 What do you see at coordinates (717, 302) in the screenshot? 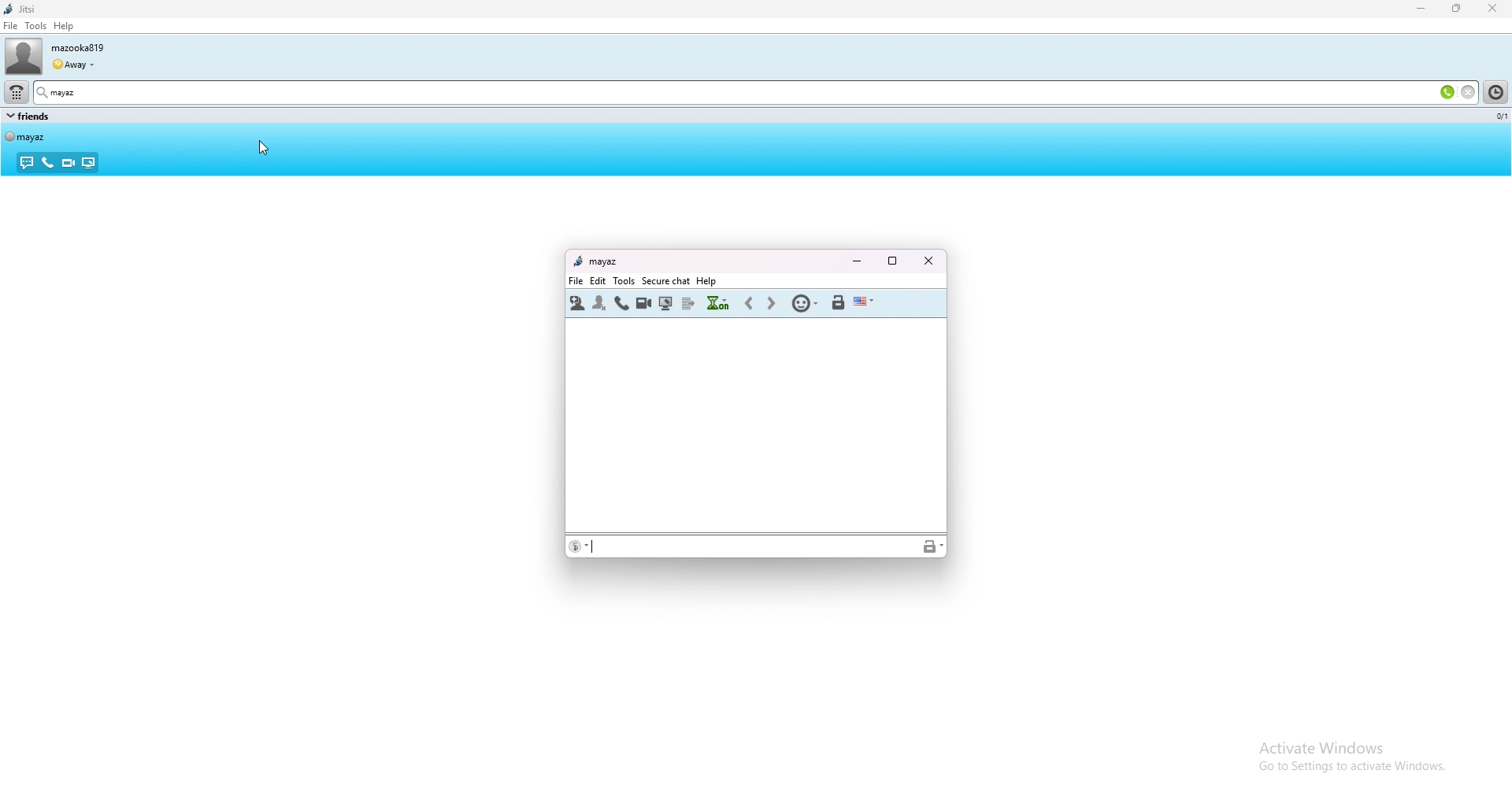
I see `history` at bounding box center [717, 302].